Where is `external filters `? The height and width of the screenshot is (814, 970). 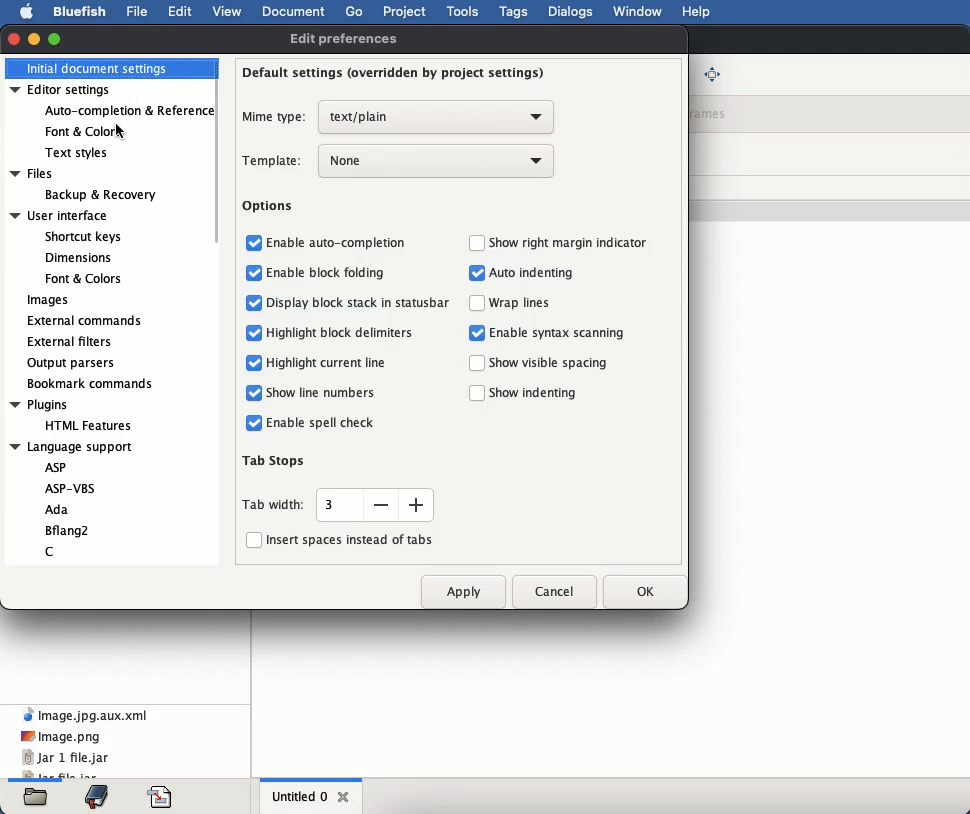 external filters  is located at coordinates (70, 342).